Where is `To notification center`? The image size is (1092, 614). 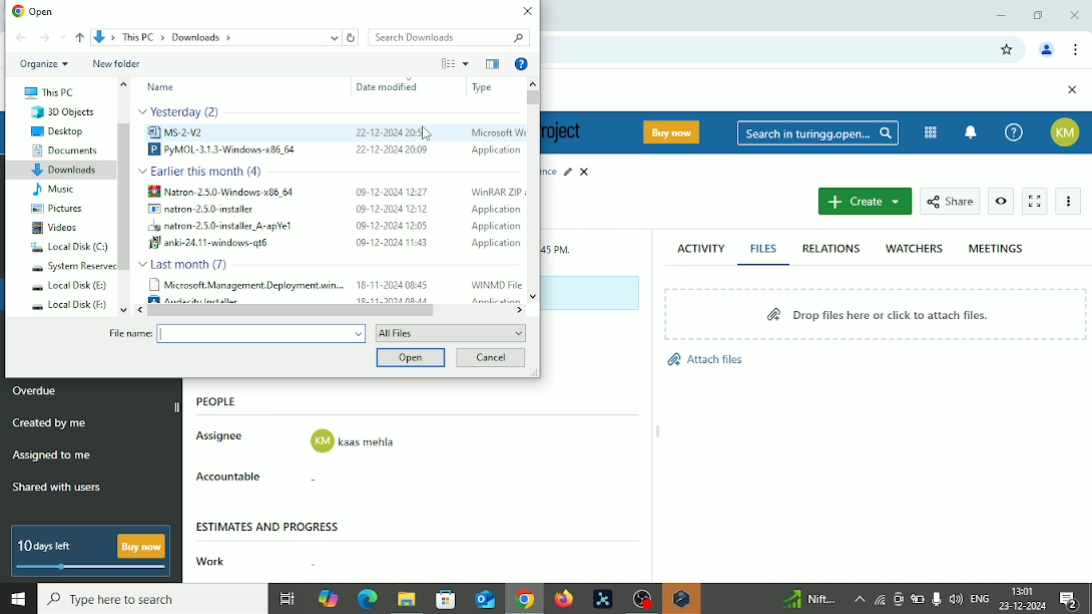 To notification center is located at coordinates (971, 130).